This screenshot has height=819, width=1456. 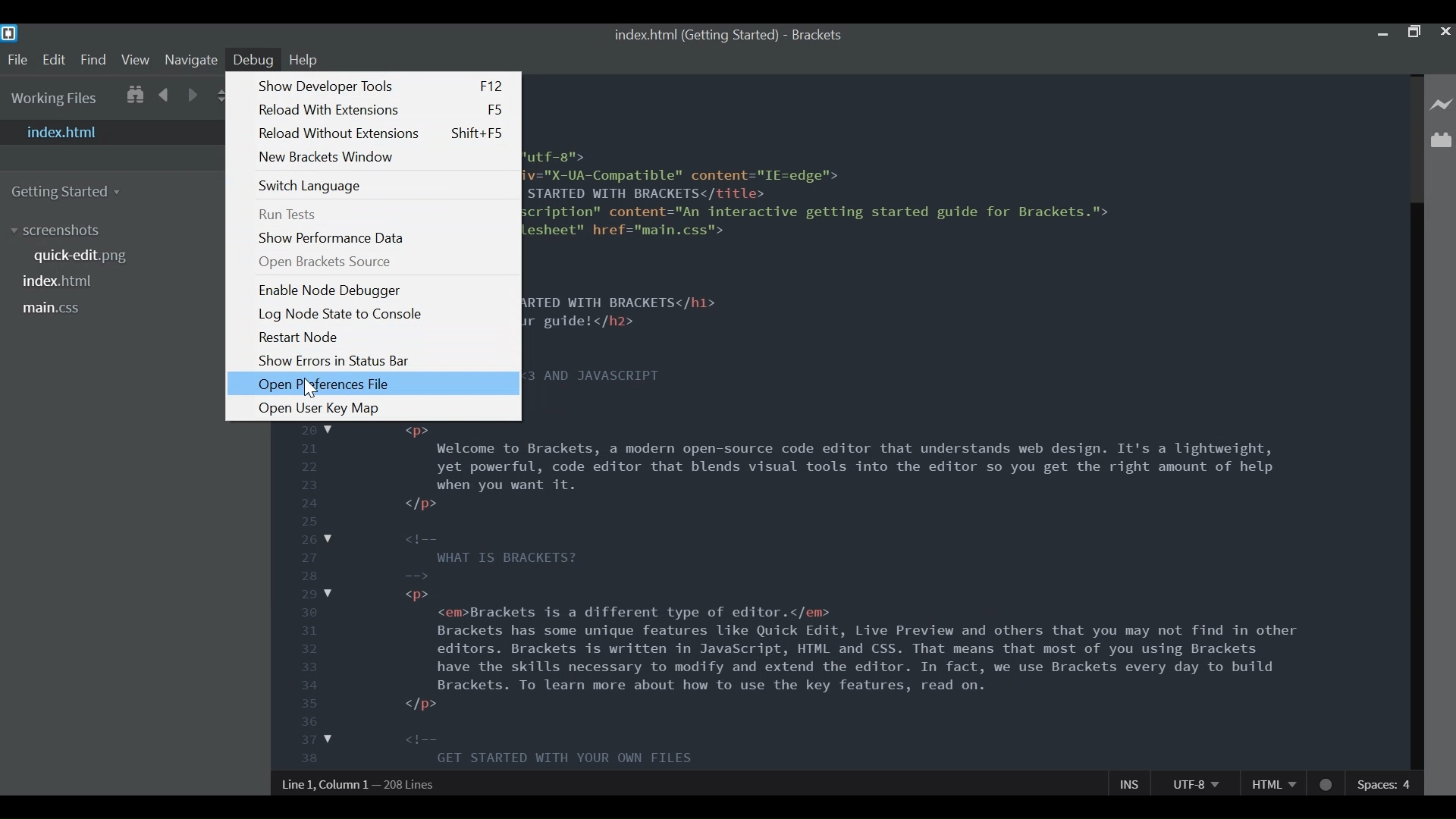 What do you see at coordinates (64, 231) in the screenshot?
I see `screenshots` at bounding box center [64, 231].